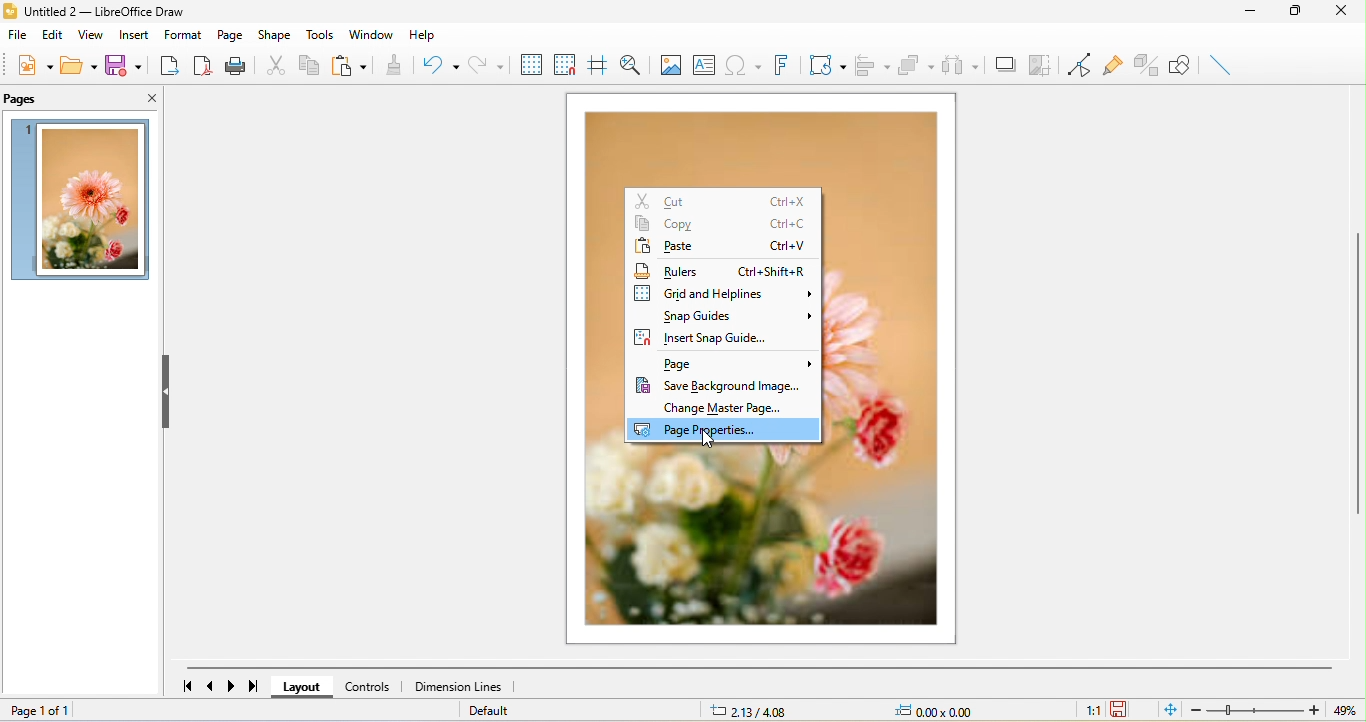  Describe the element at coordinates (274, 36) in the screenshot. I see `shape` at that location.